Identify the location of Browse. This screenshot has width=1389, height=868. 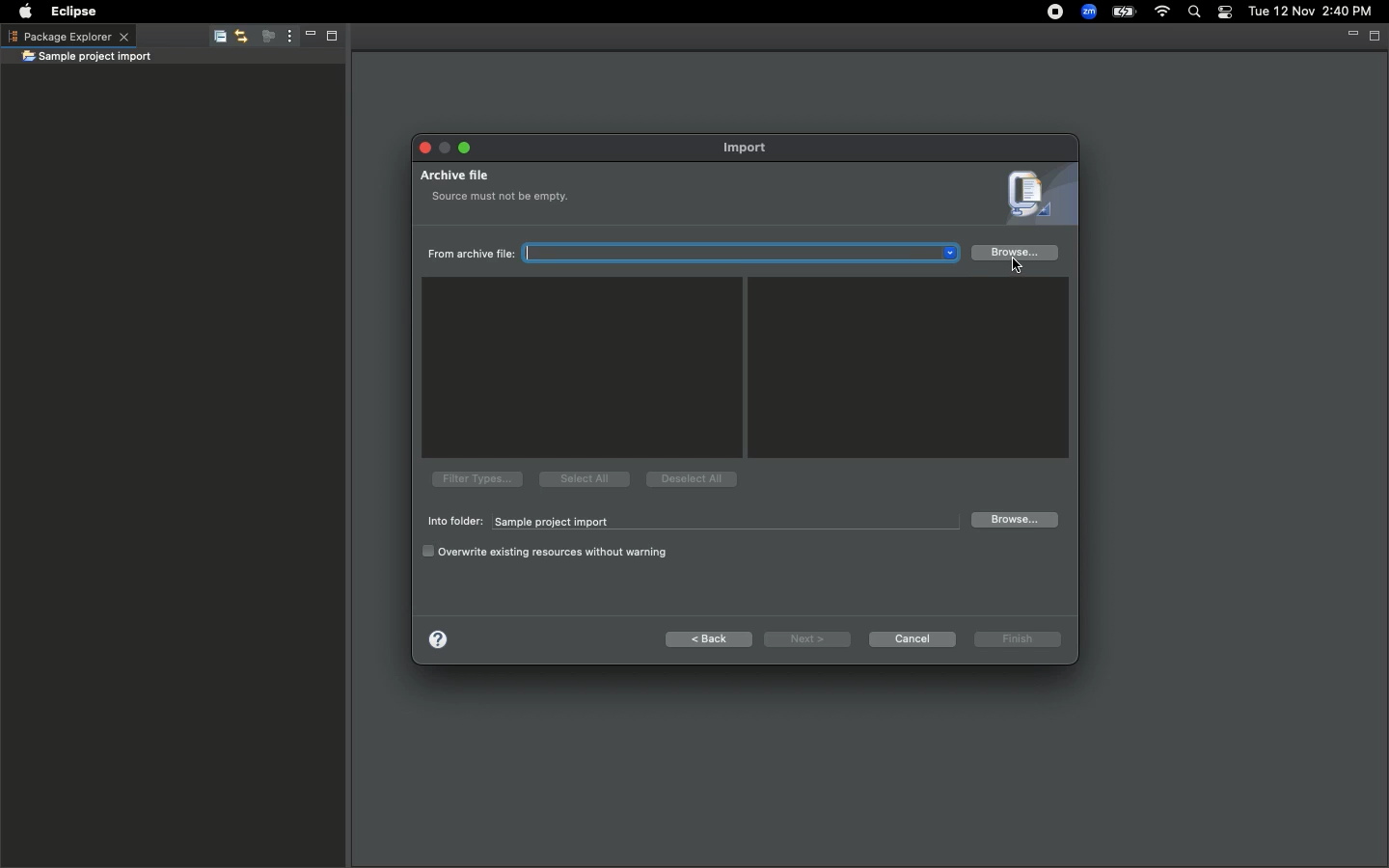
(1016, 255).